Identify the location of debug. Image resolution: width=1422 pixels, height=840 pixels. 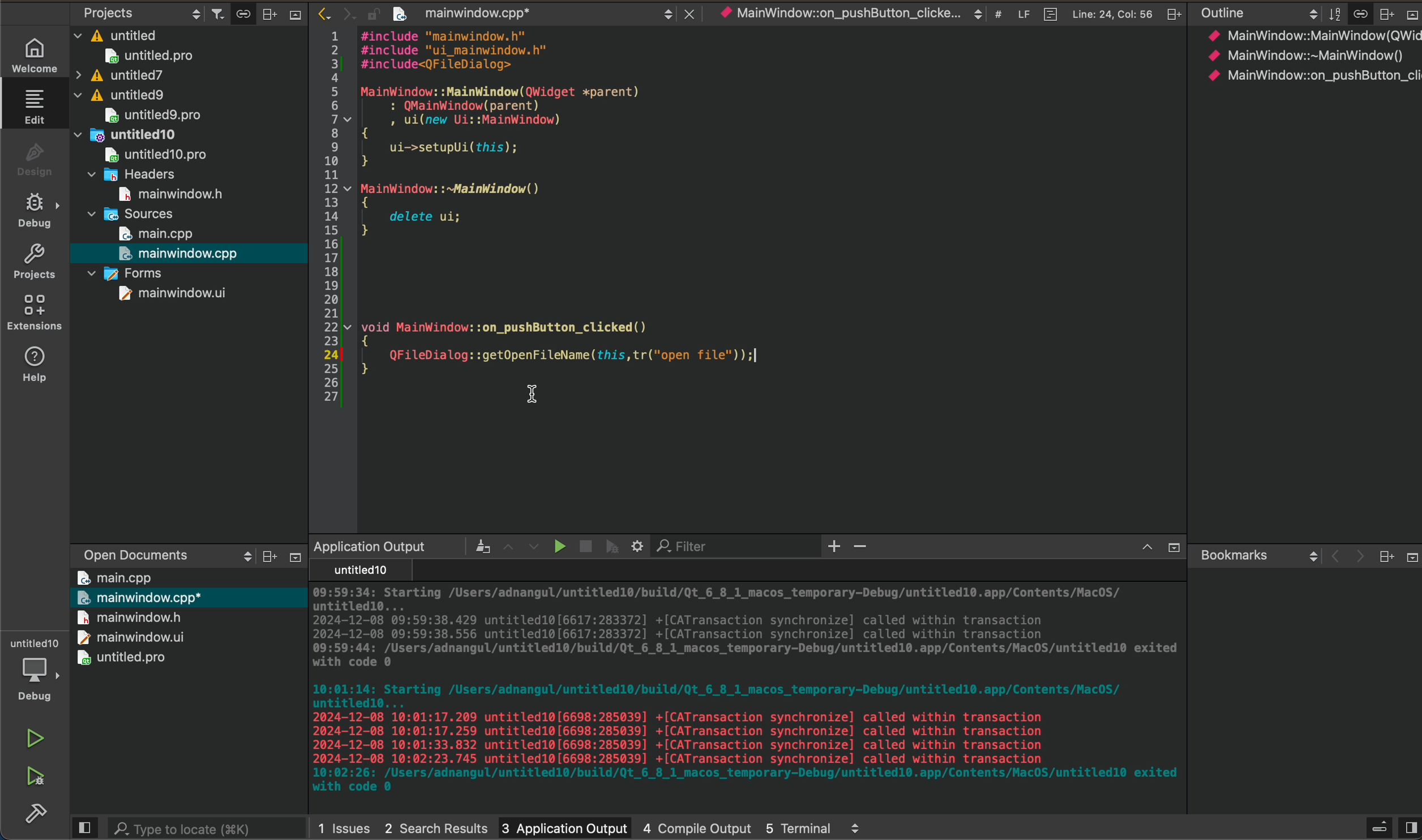
(33, 211).